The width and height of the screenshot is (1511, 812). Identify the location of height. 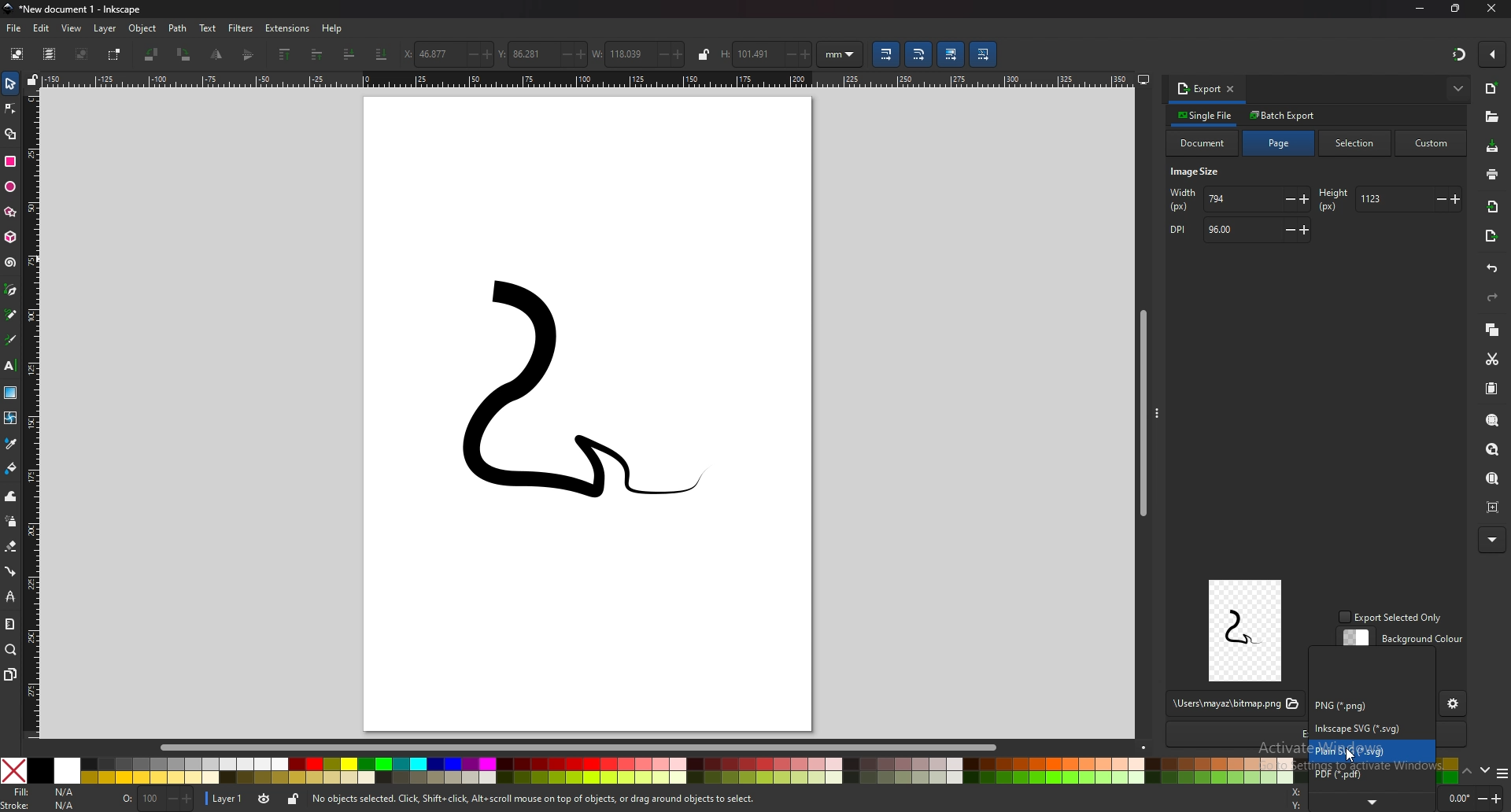
(767, 54).